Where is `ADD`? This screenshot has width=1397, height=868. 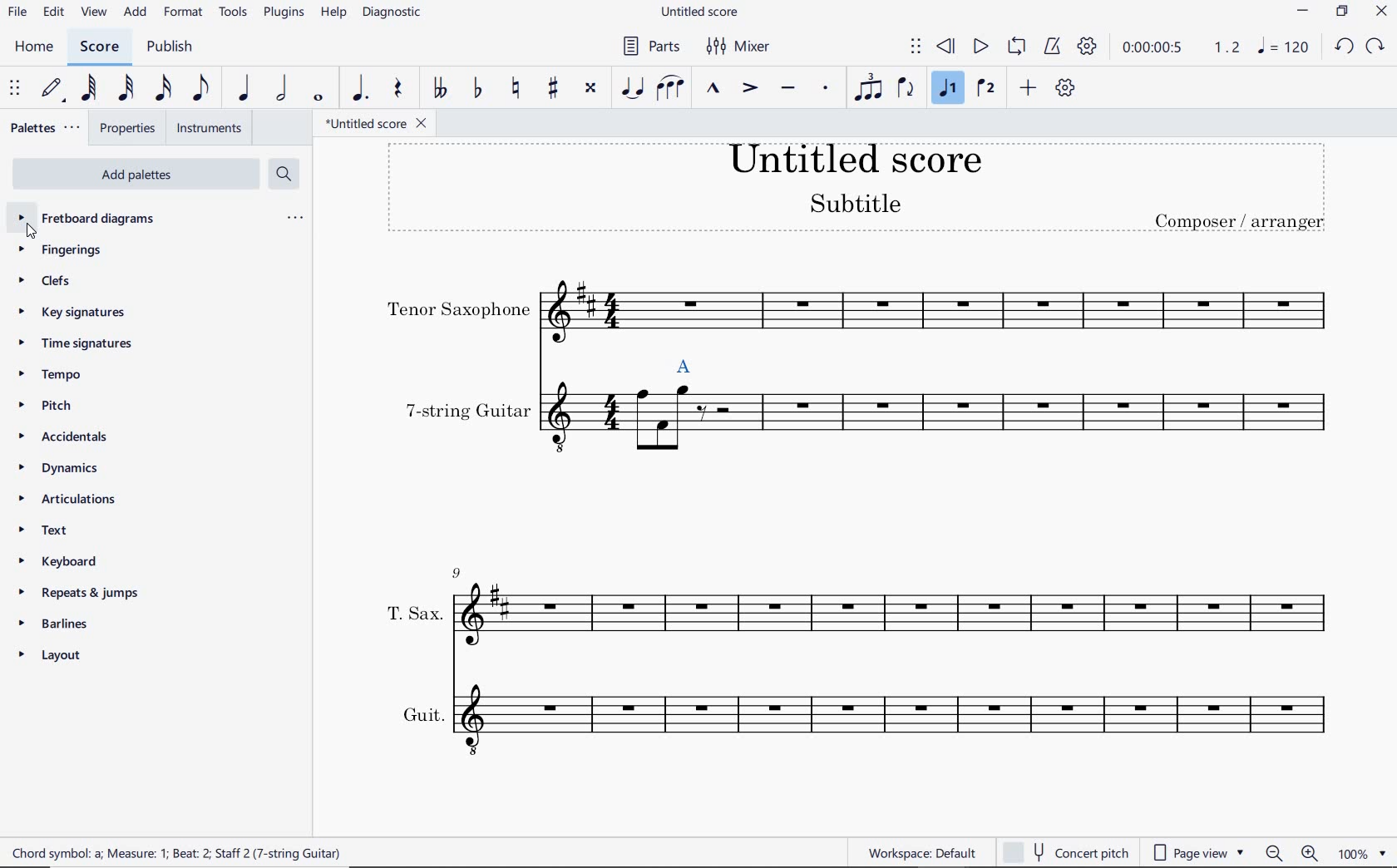 ADD is located at coordinates (1028, 88).